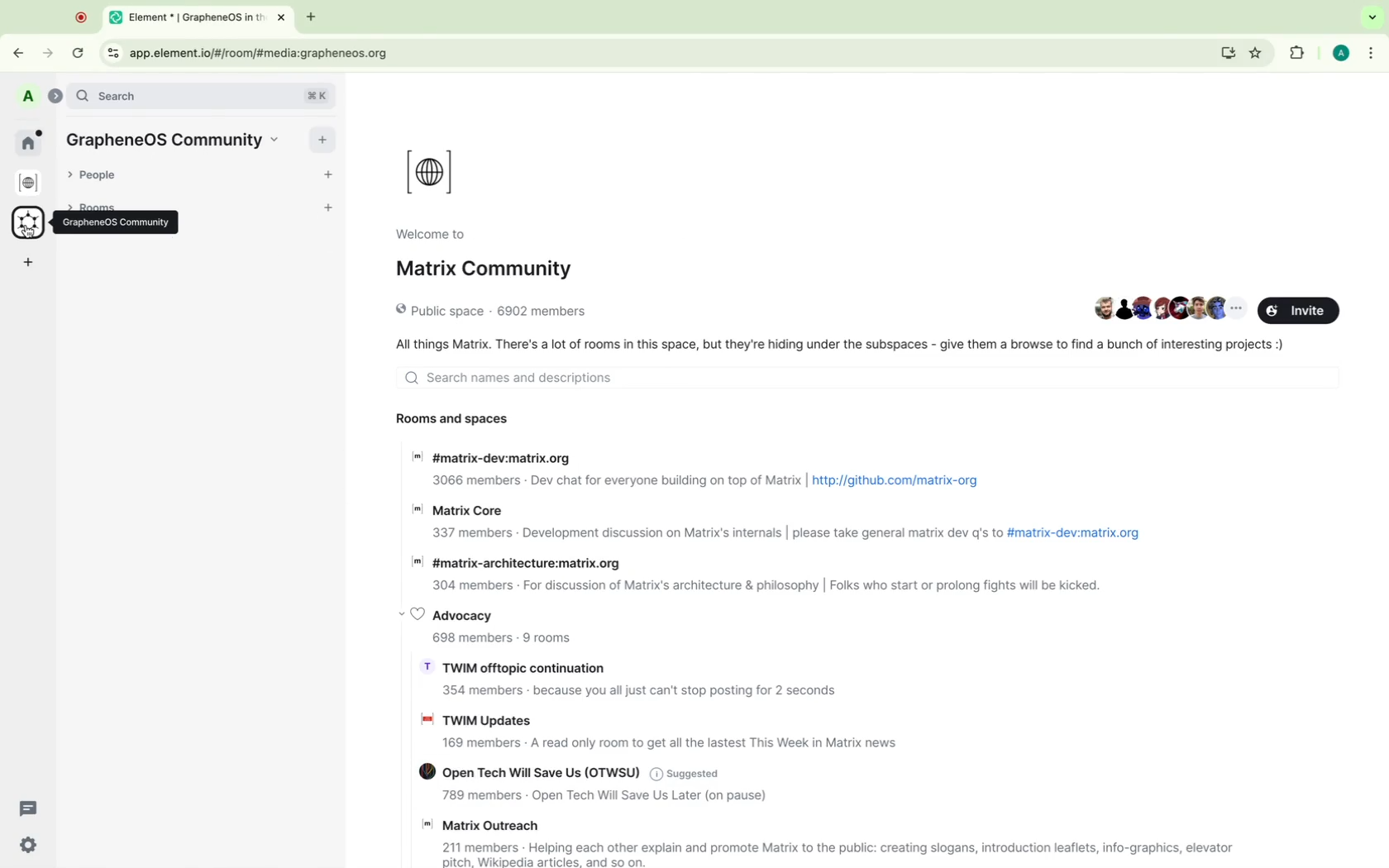 The image size is (1389, 868). What do you see at coordinates (485, 825) in the screenshot?
I see `Matrix outreach` at bounding box center [485, 825].